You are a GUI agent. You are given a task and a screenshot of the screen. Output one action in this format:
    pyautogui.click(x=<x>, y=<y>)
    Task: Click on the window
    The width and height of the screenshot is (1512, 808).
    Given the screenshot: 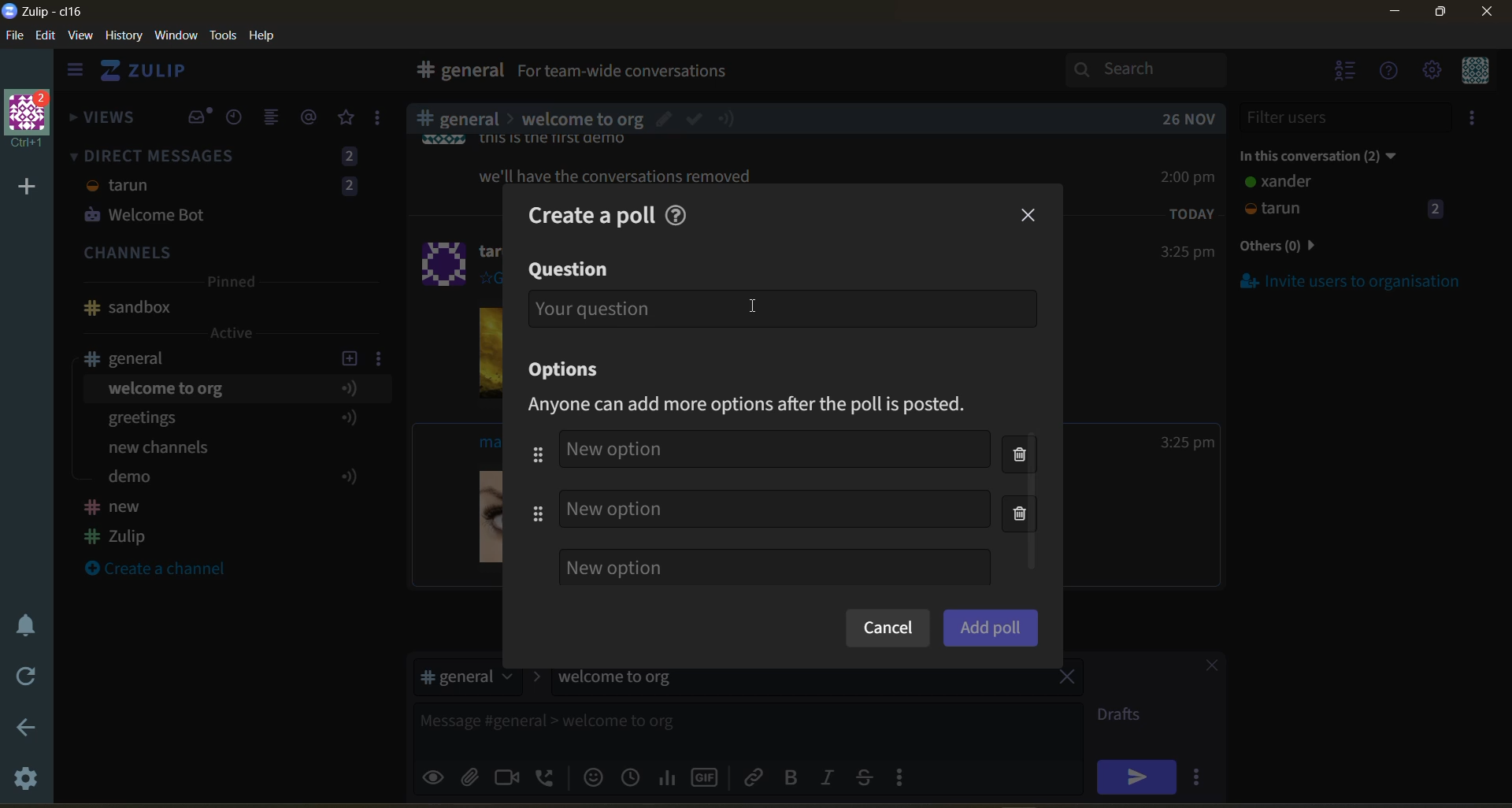 What is the action you would take?
    pyautogui.click(x=174, y=36)
    